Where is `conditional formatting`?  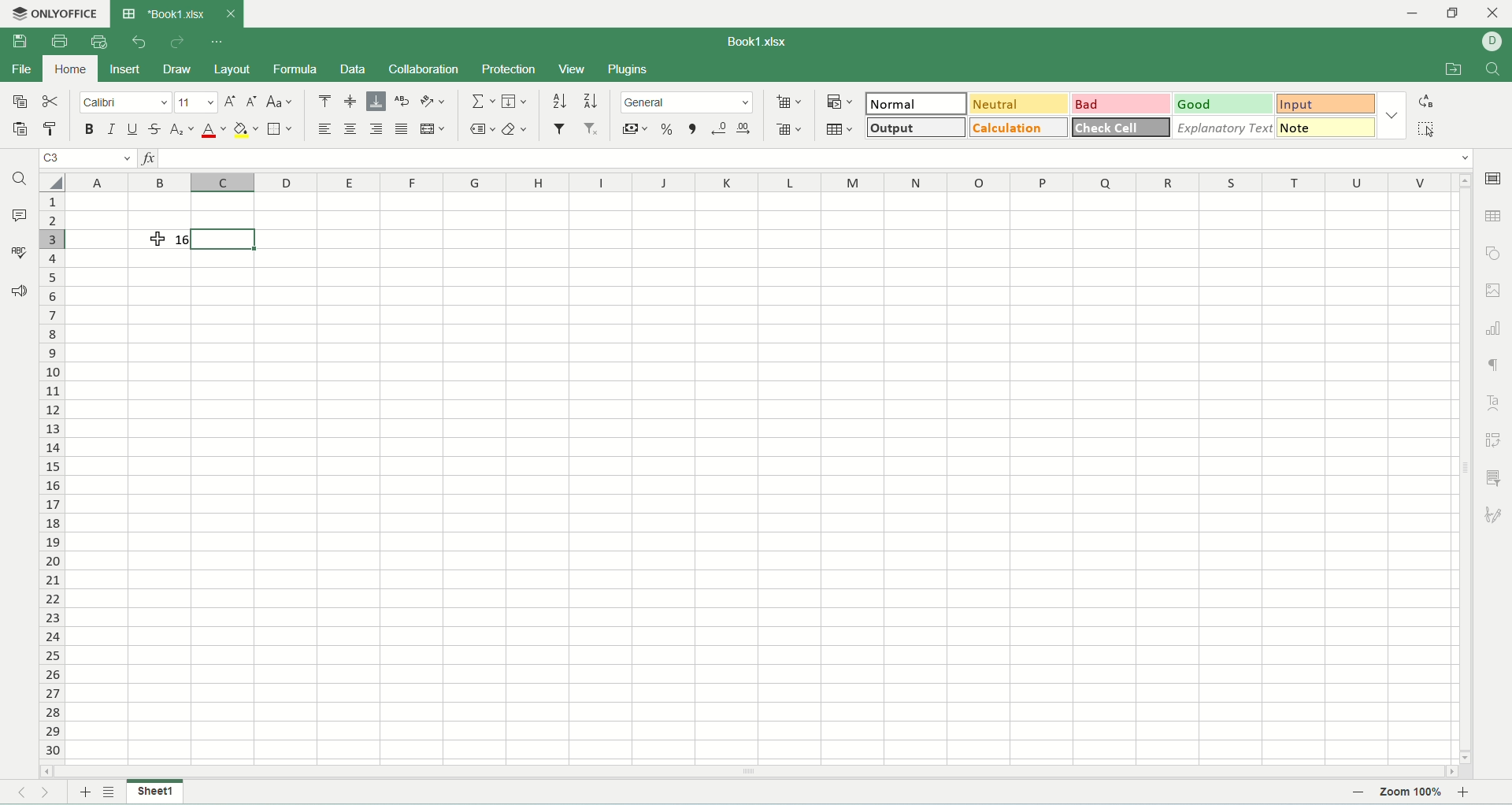 conditional formatting is located at coordinates (843, 102).